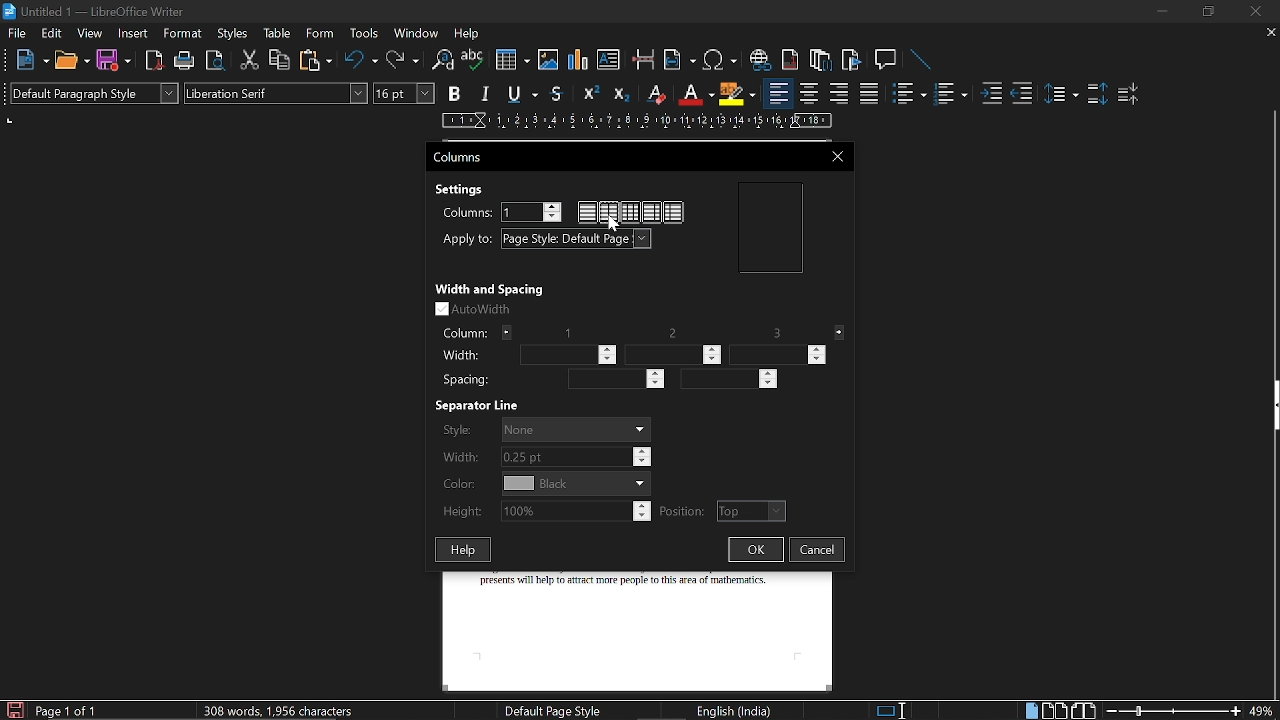 Image resolution: width=1280 pixels, height=720 pixels. What do you see at coordinates (871, 93) in the screenshot?
I see `Justified` at bounding box center [871, 93].